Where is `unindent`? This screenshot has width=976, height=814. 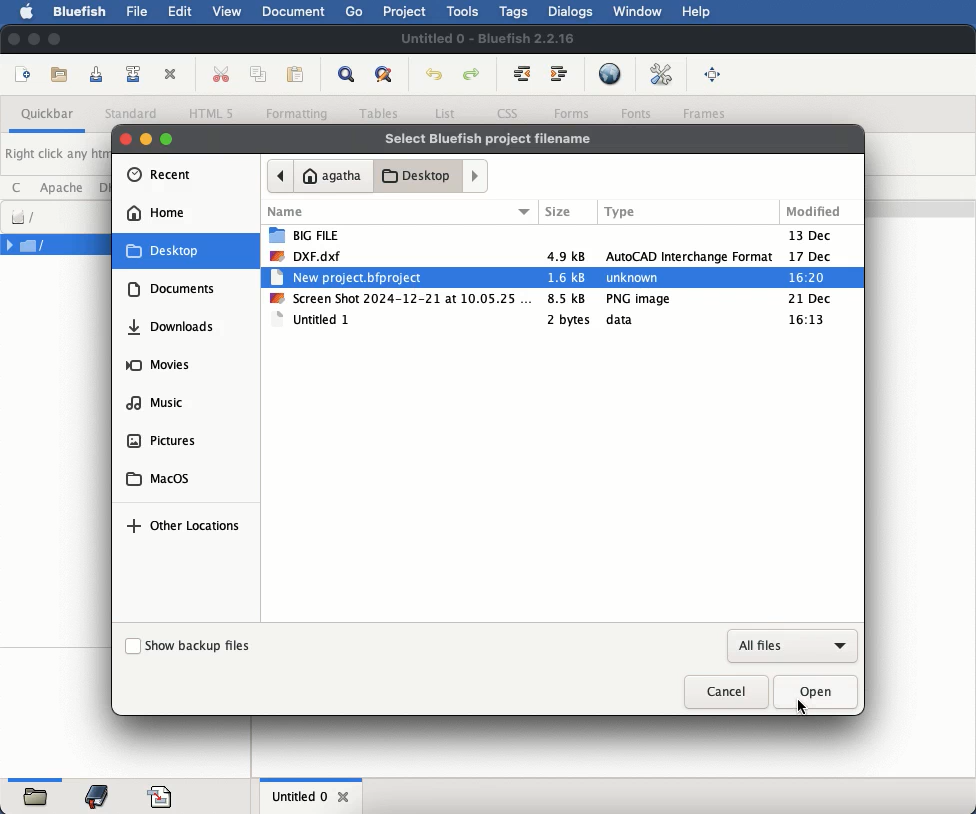
unindent is located at coordinates (523, 73).